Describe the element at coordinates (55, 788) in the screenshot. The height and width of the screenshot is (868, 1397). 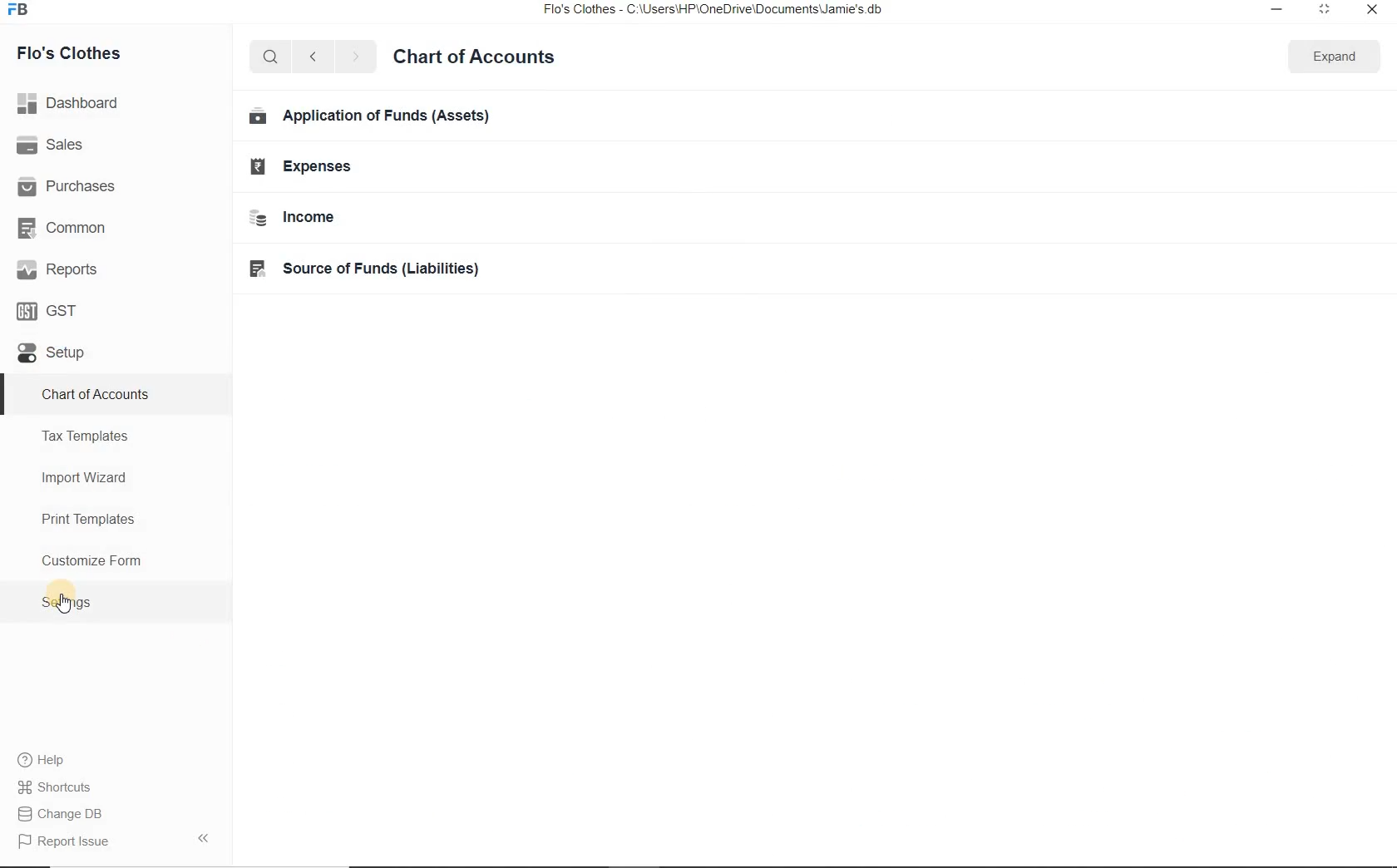
I see `Shortcuts` at that location.